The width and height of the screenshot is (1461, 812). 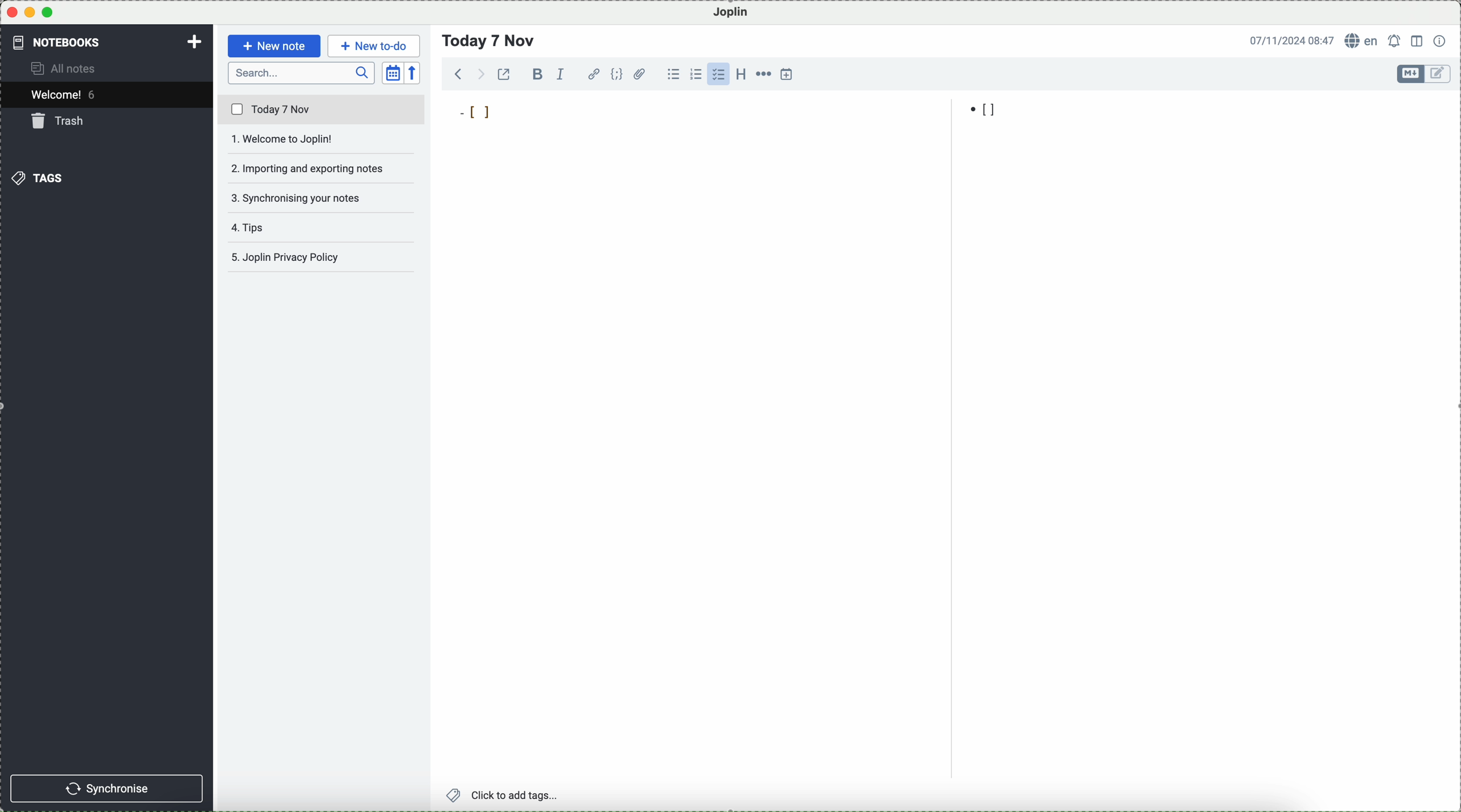 I want to click on typing list, so click(x=476, y=111).